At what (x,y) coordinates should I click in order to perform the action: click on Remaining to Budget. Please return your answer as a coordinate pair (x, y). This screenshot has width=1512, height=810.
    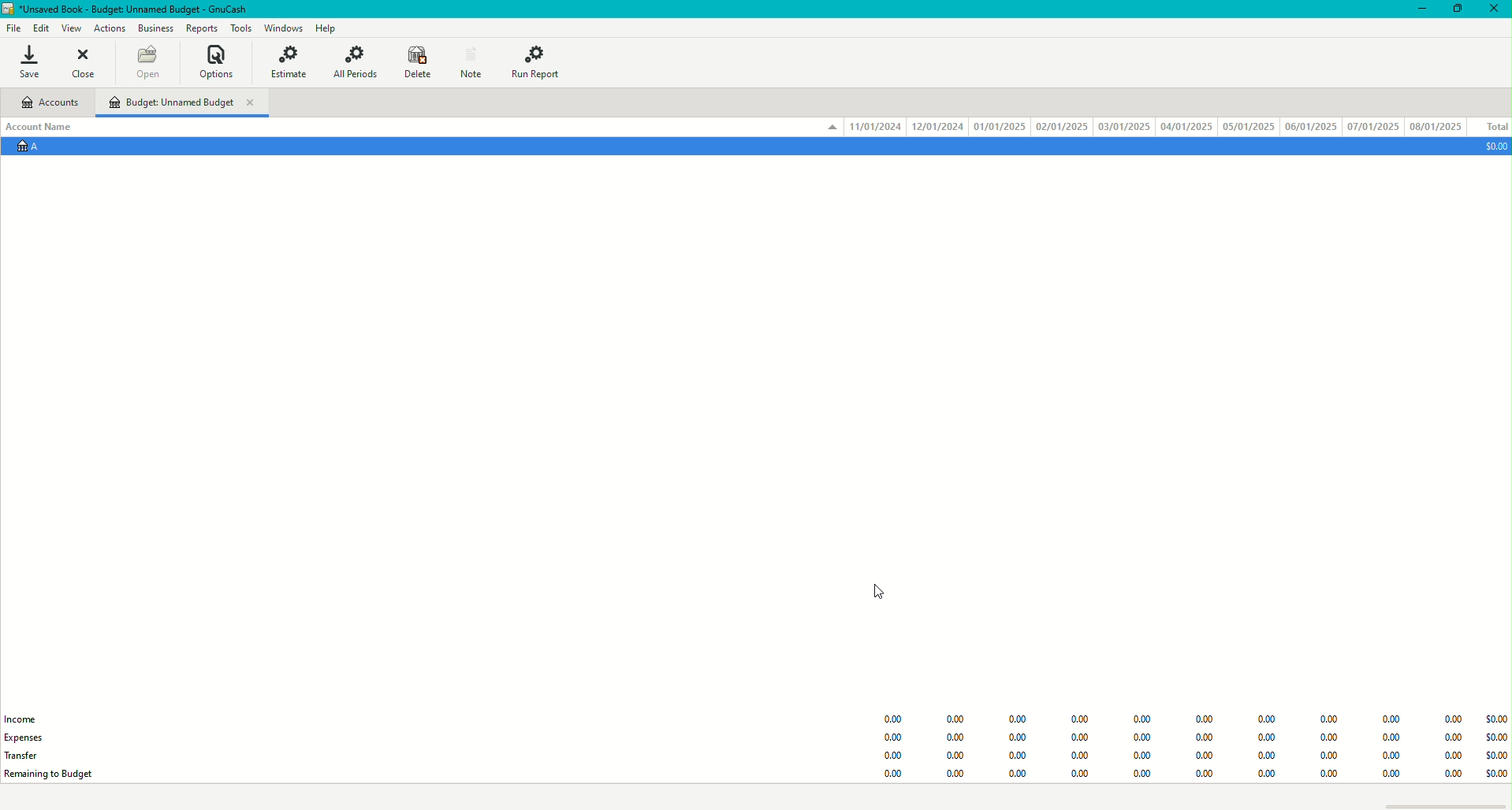
    Looking at the image, I should click on (52, 774).